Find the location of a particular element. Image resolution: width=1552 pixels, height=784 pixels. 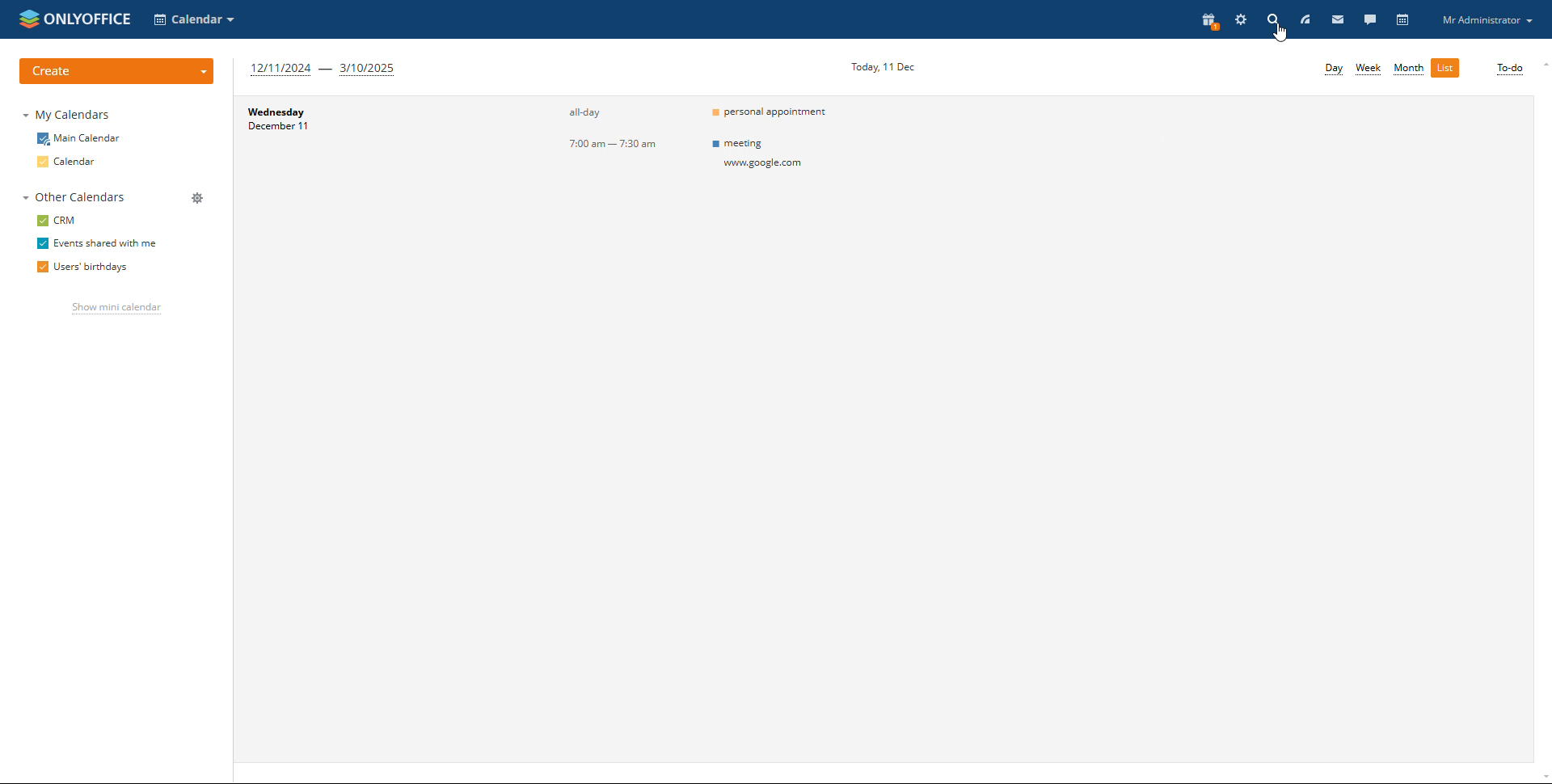

create is located at coordinates (116, 73).